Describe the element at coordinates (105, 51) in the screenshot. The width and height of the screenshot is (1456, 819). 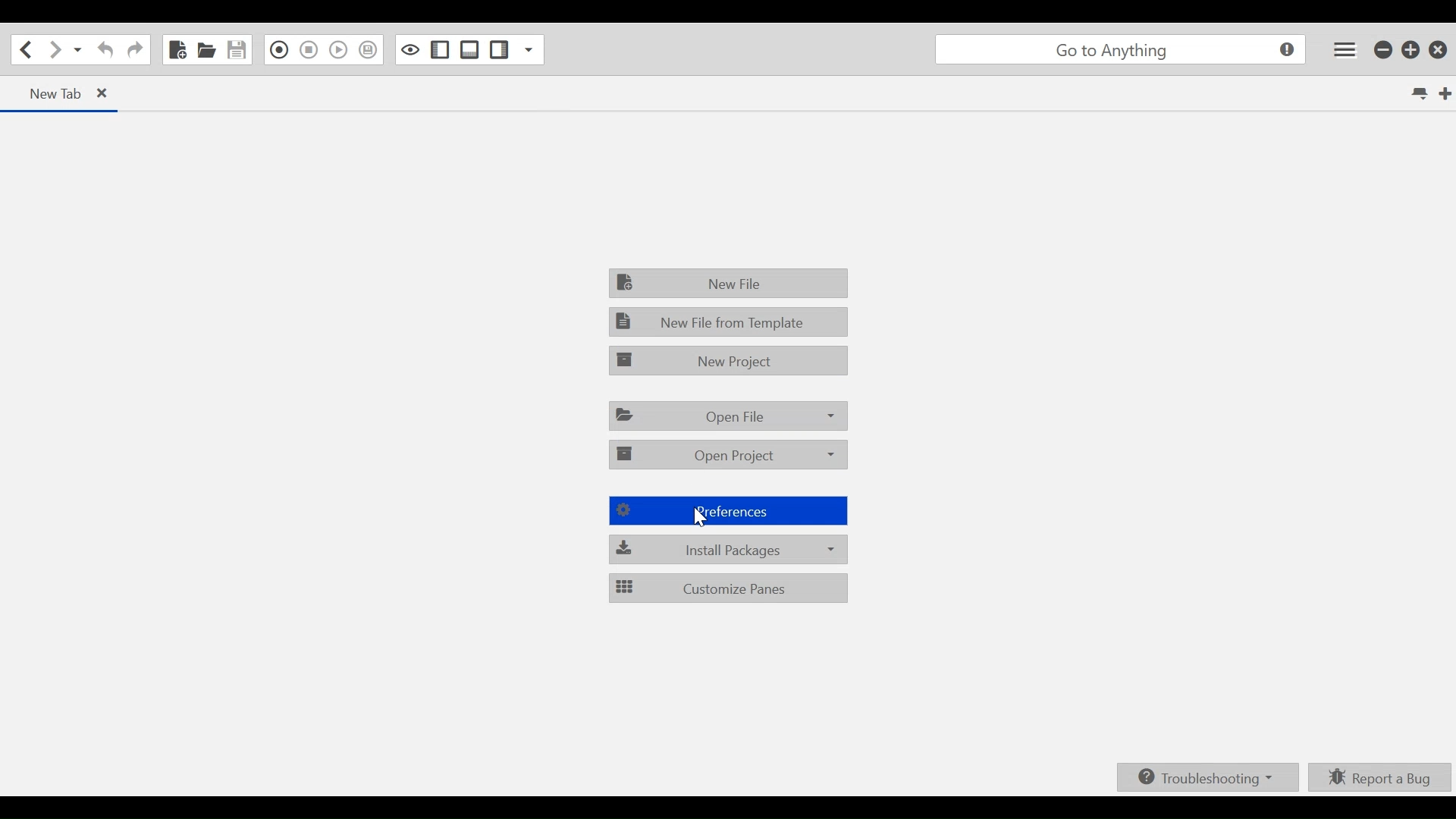
I see `Undo last action` at that location.